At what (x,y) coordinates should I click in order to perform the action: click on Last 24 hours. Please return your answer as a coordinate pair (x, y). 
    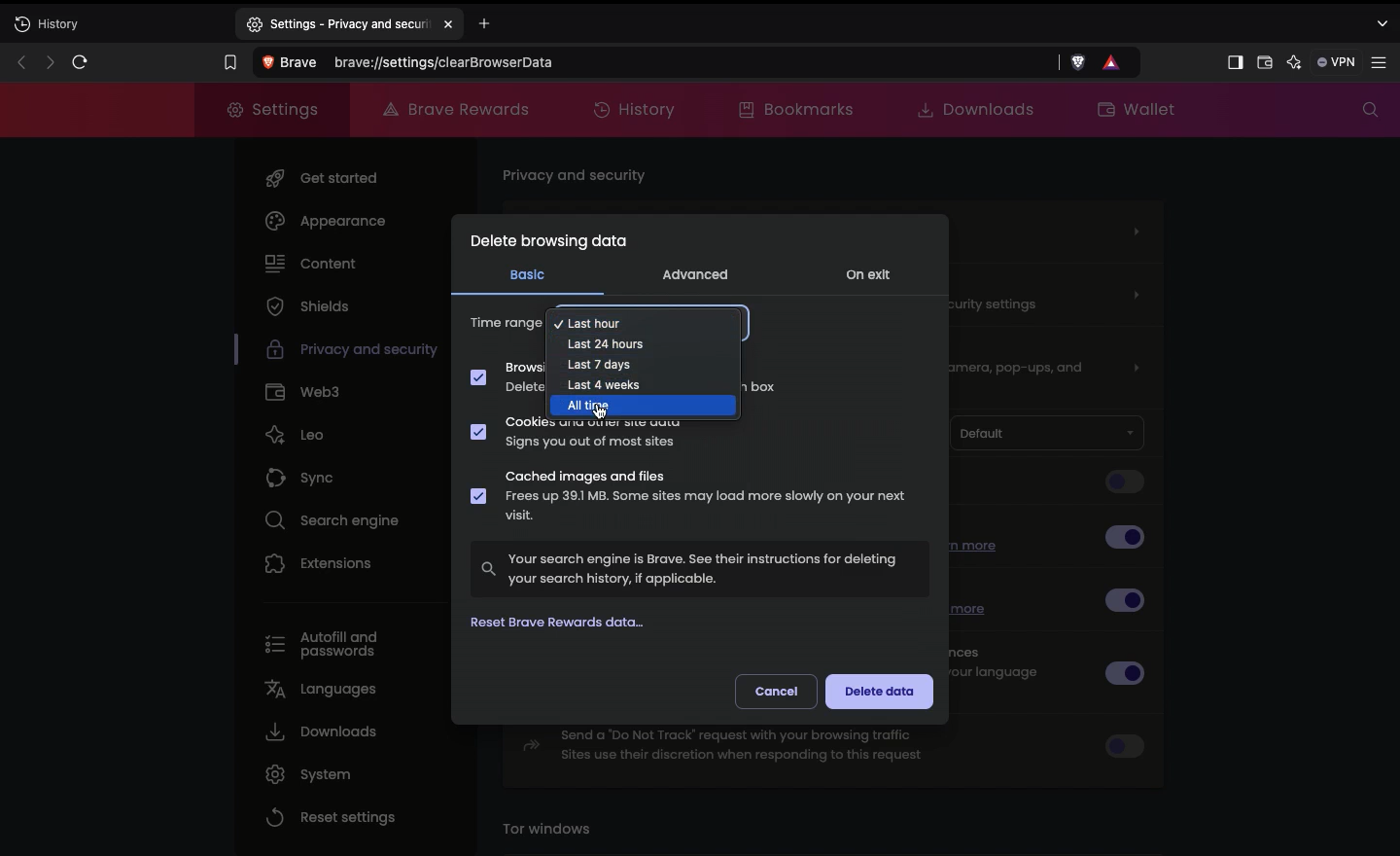
    Looking at the image, I should click on (610, 342).